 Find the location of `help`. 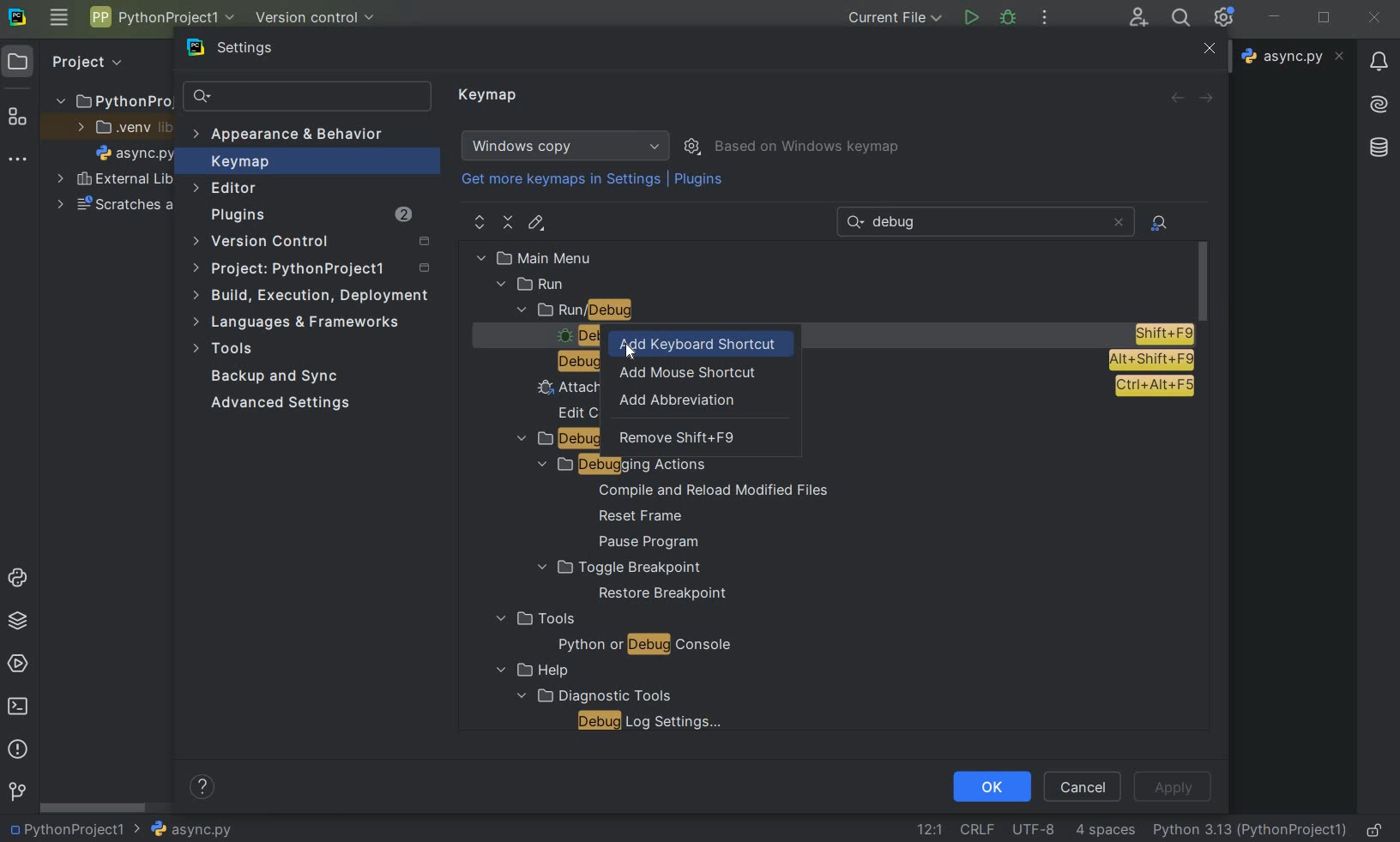

help is located at coordinates (528, 671).